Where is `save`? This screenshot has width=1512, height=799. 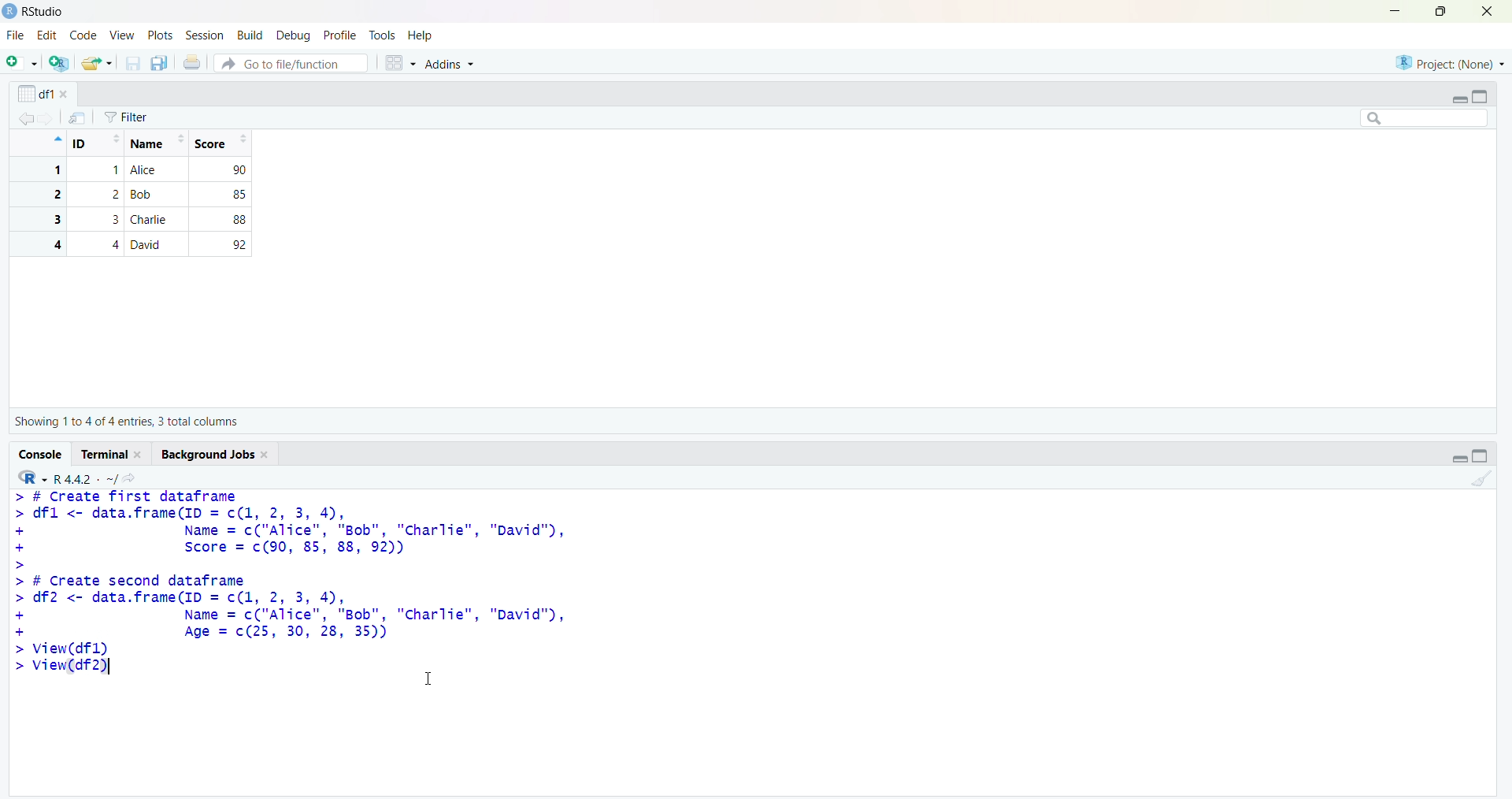
save is located at coordinates (134, 63).